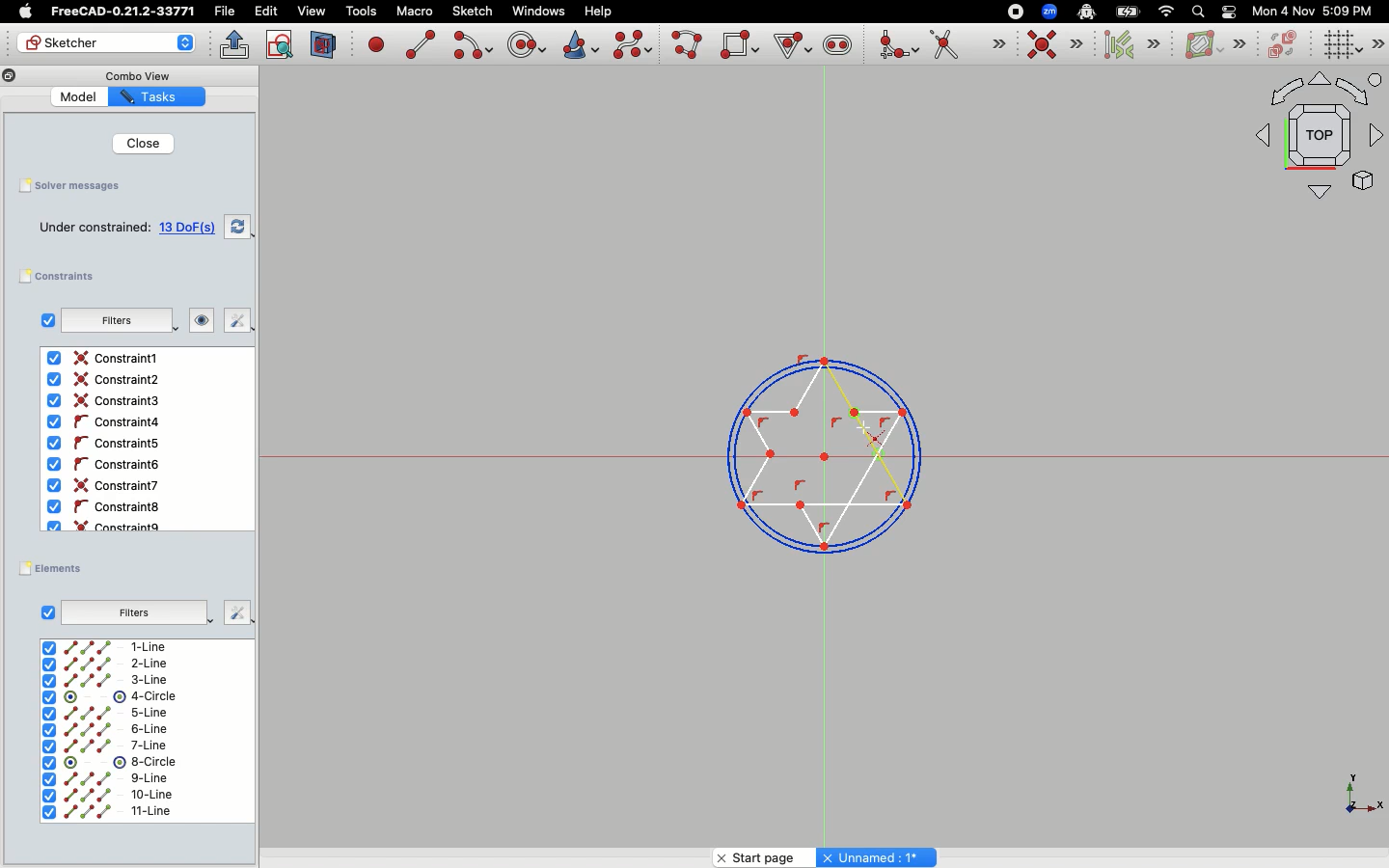  I want to click on 2-Line, so click(118, 664).